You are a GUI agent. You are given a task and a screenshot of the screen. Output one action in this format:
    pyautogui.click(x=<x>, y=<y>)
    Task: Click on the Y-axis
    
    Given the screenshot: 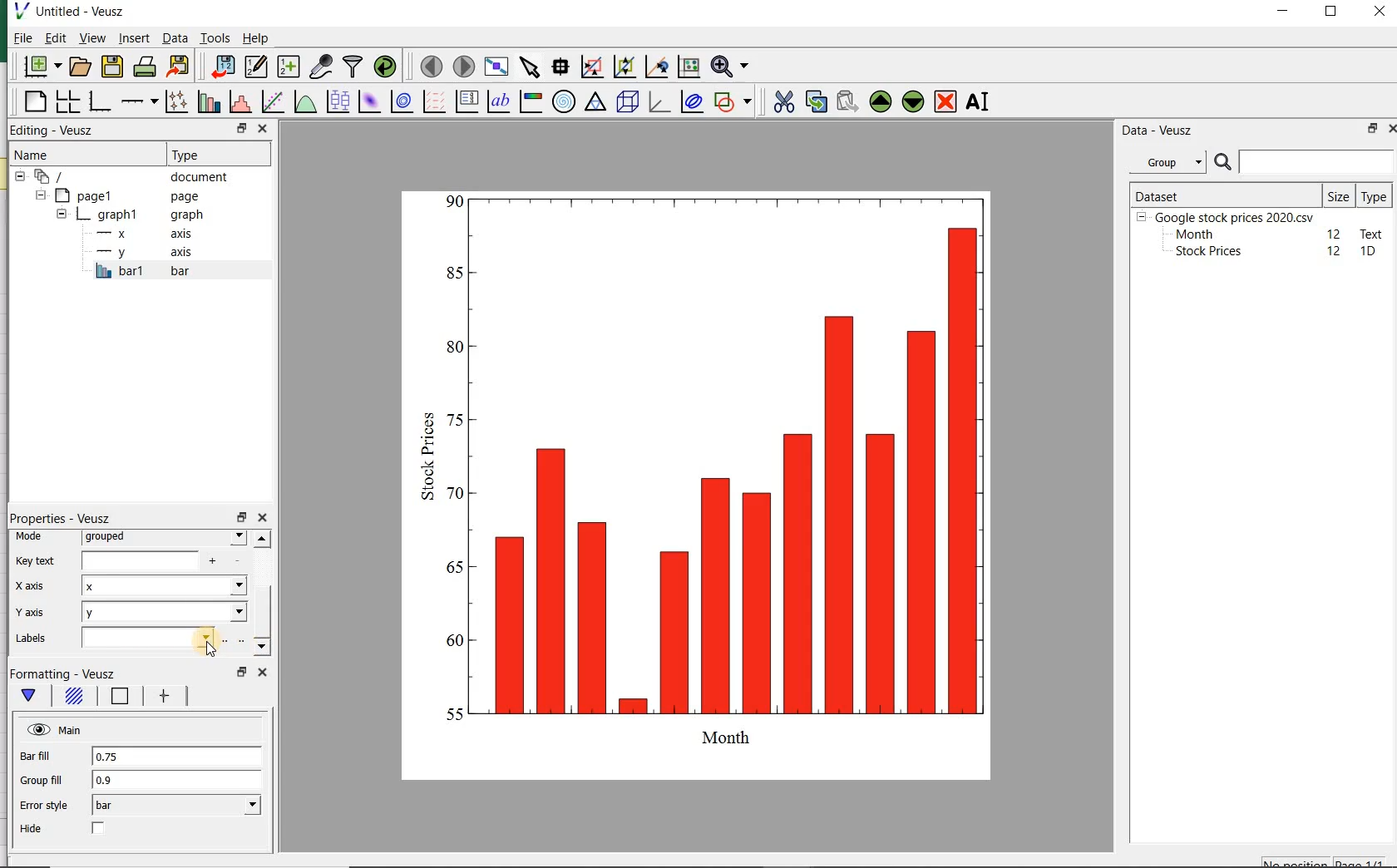 What is the action you would take?
    pyautogui.click(x=33, y=614)
    